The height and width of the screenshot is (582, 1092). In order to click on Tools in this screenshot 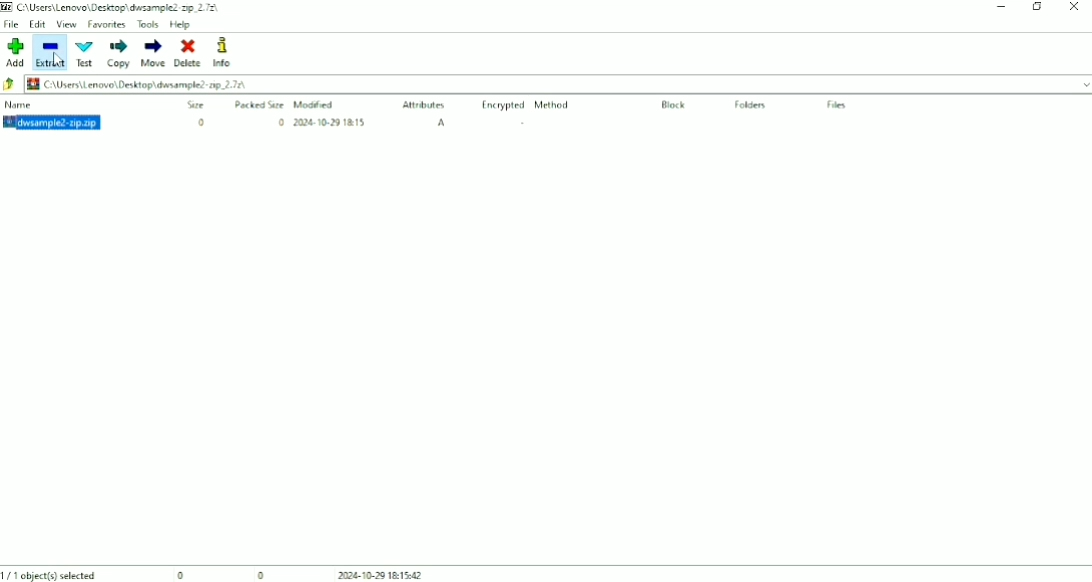, I will do `click(148, 24)`.